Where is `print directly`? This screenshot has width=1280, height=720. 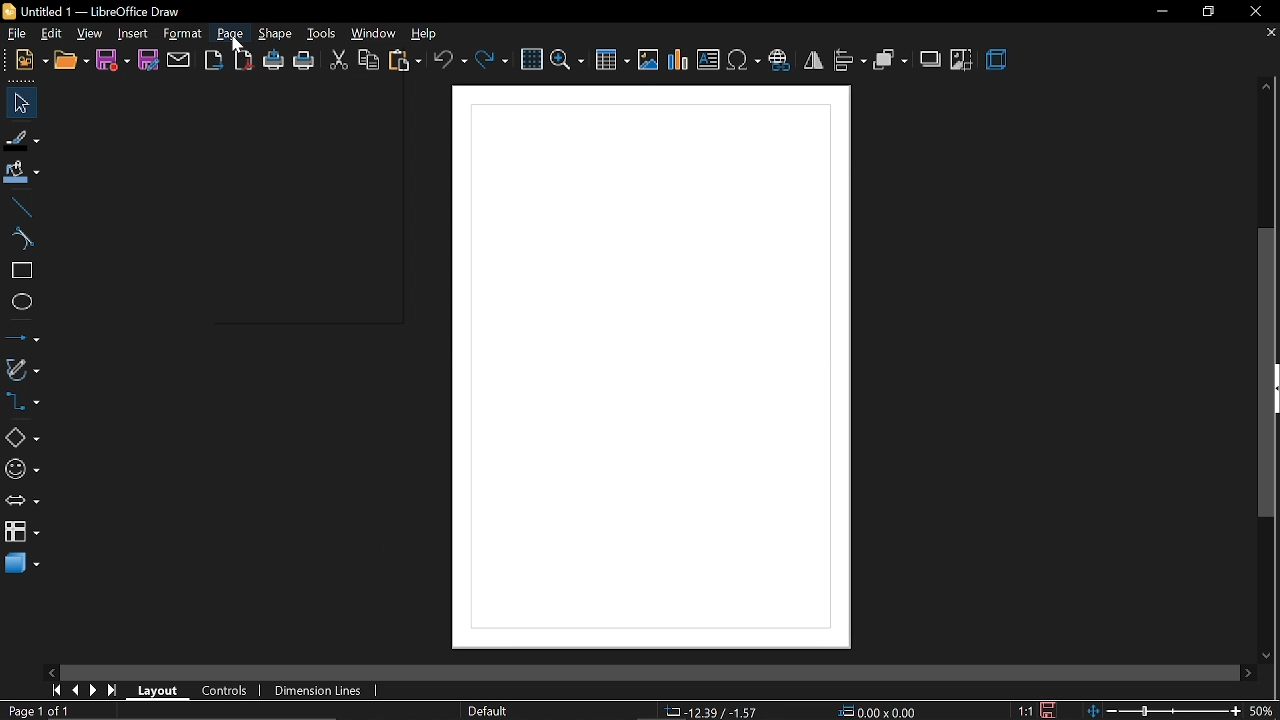
print directly is located at coordinates (273, 59).